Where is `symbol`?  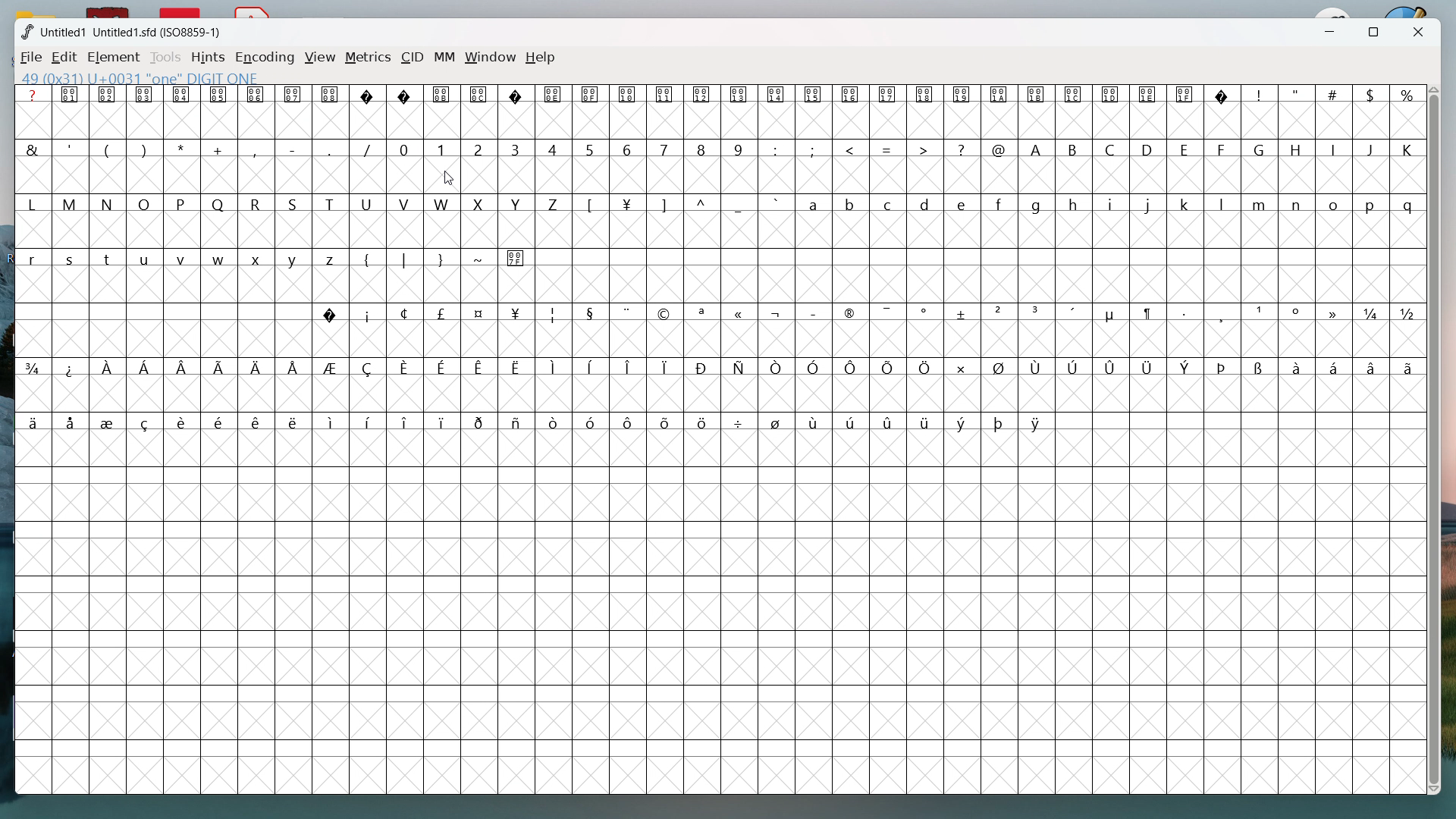
symbol is located at coordinates (667, 366).